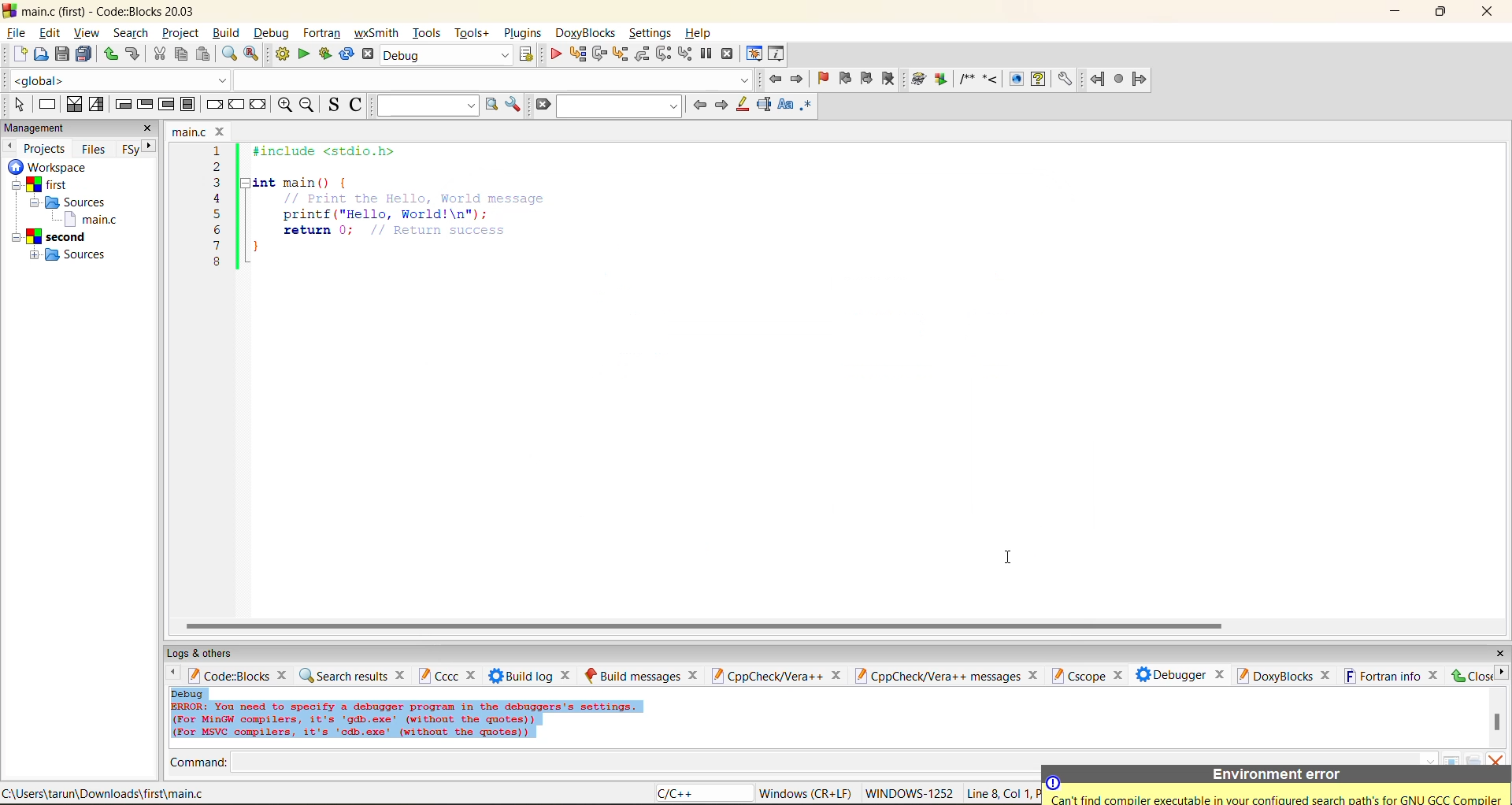  Describe the element at coordinates (182, 54) in the screenshot. I see `copy` at that location.